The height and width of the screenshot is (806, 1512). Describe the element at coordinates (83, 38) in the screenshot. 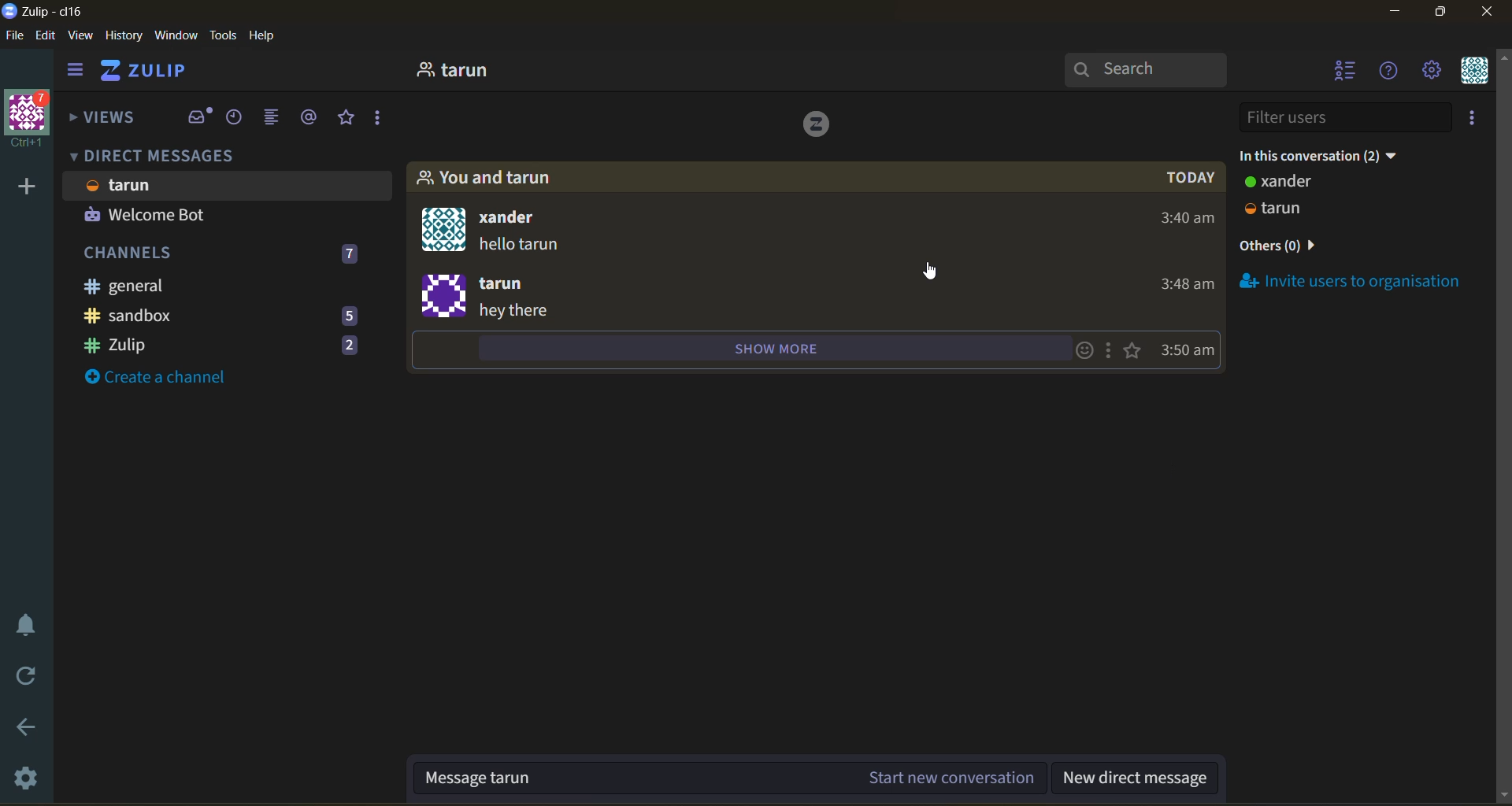

I see `view` at that location.